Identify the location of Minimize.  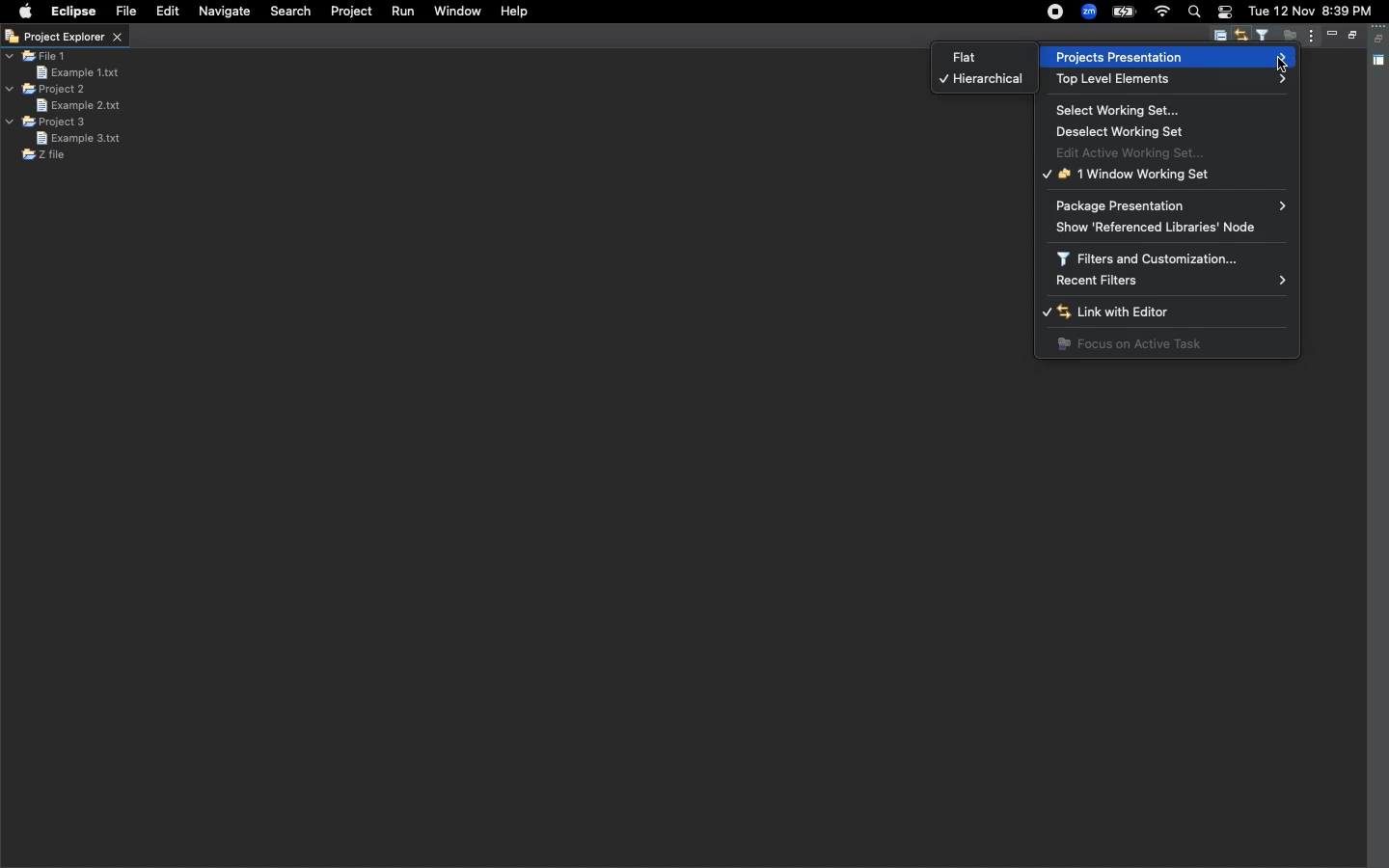
(1331, 34).